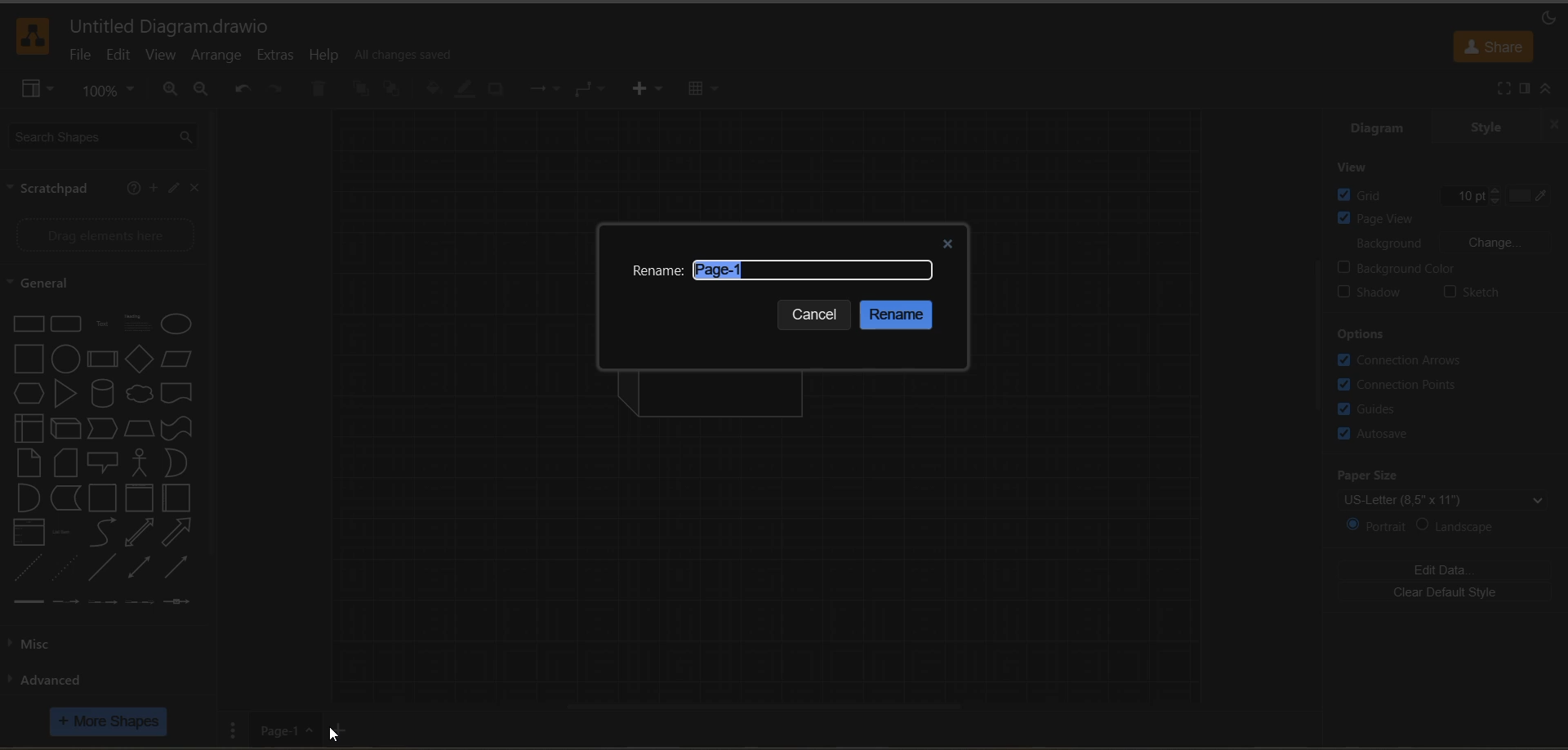 The height and width of the screenshot is (750, 1568). What do you see at coordinates (285, 732) in the screenshot?
I see `page 1` at bounding box center [285, 732].